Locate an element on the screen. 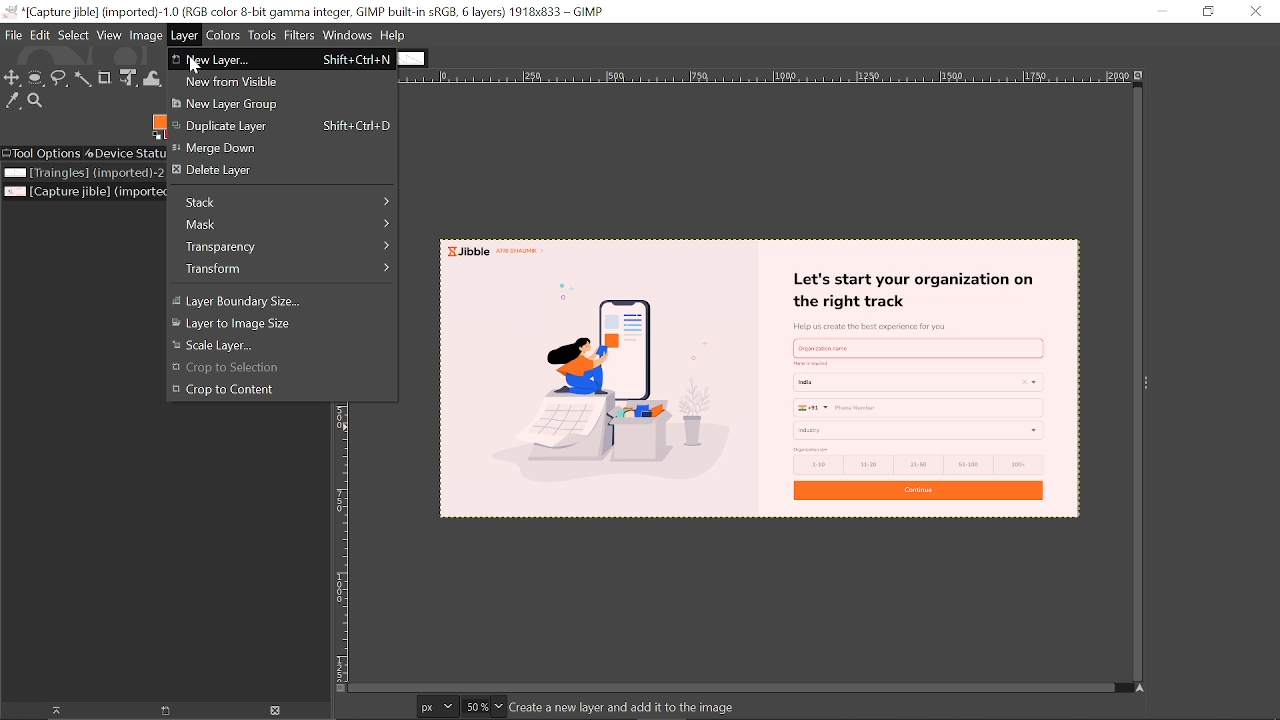 This screenshot has height=720, width=1280. current image is located at coordinates (761, 381).